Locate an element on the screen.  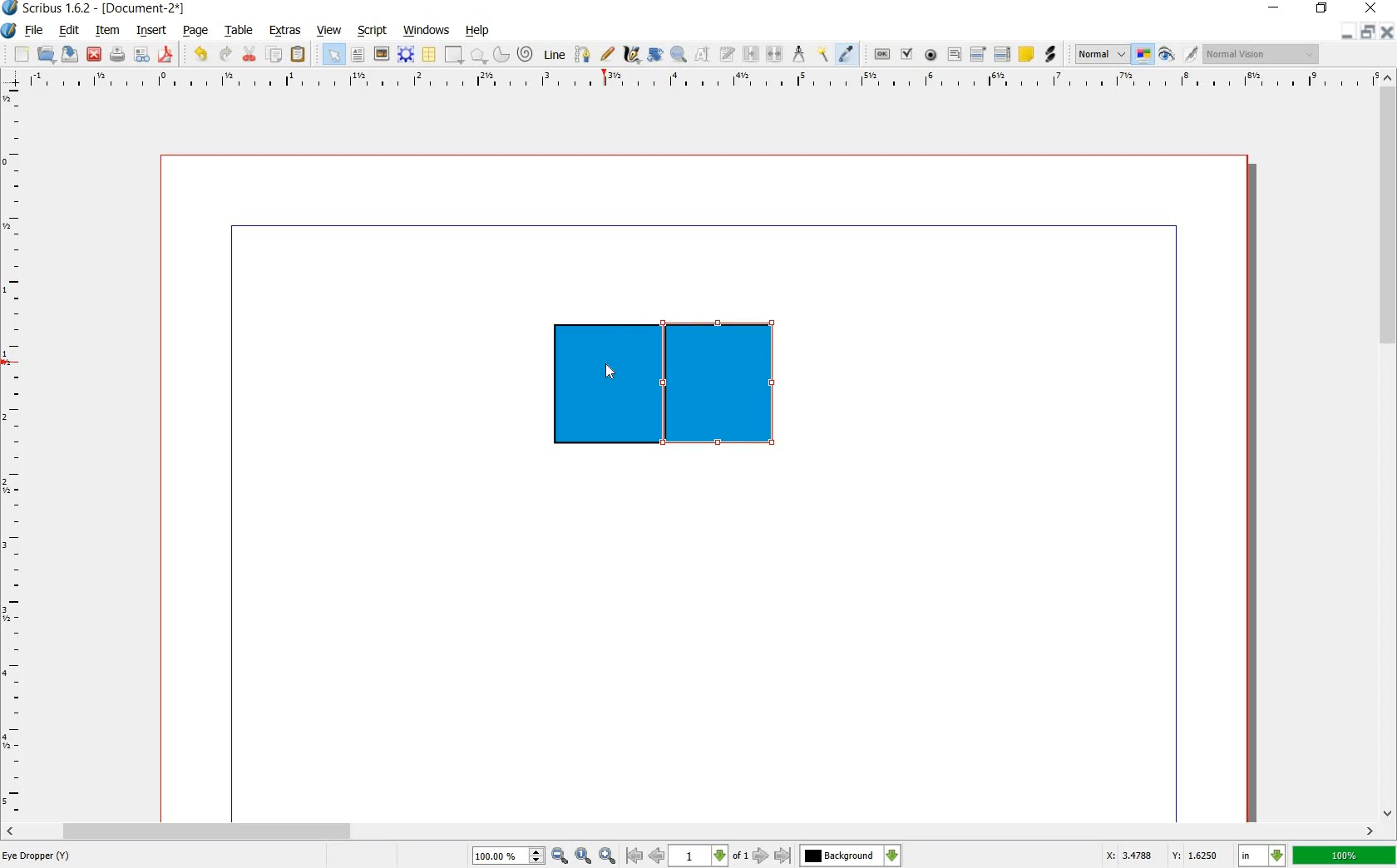
undo is located at coordinates (200, 56).